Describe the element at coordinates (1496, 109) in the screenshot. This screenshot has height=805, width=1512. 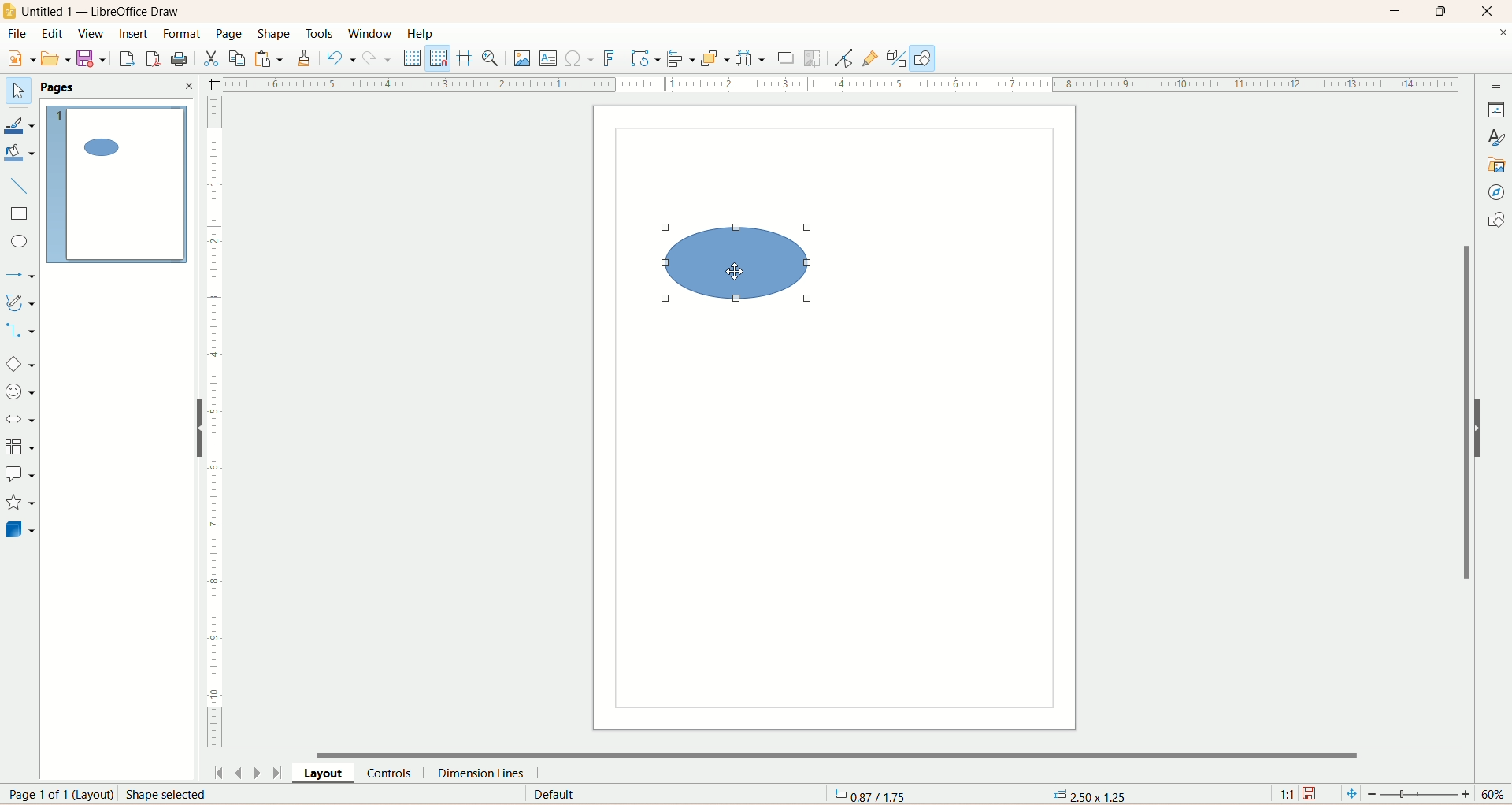
I see `properties` at that location.